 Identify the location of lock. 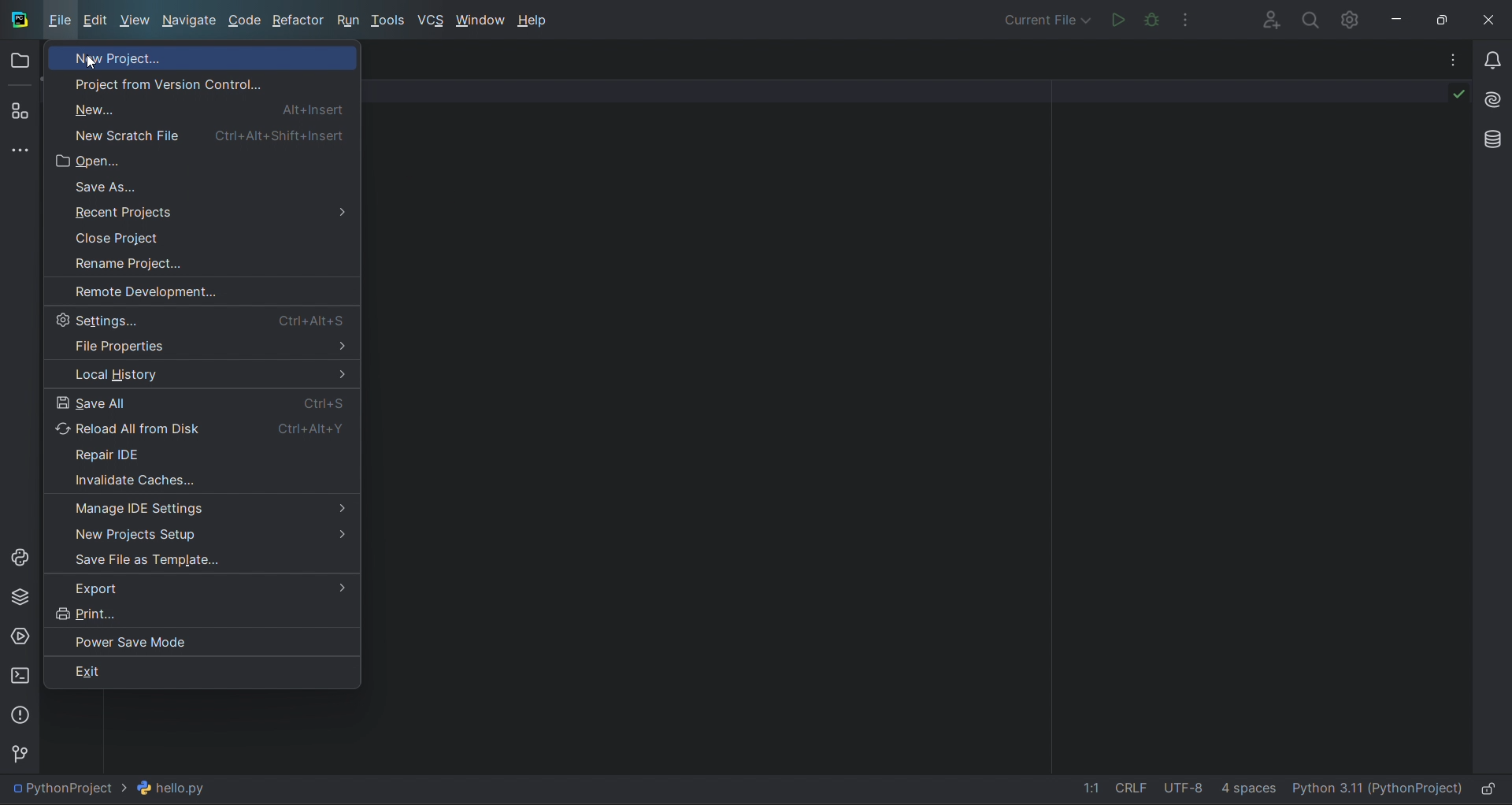
(1492, 789).